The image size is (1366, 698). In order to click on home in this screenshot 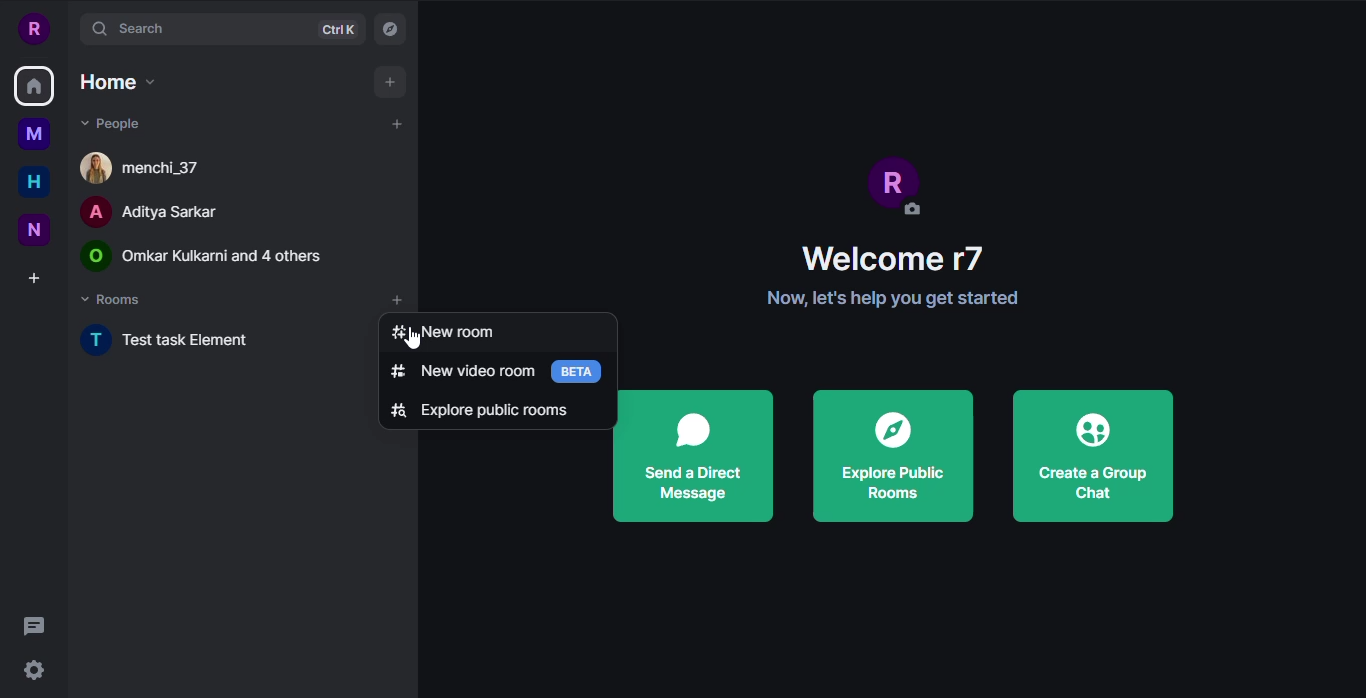, I will do `click(115, 81)`.